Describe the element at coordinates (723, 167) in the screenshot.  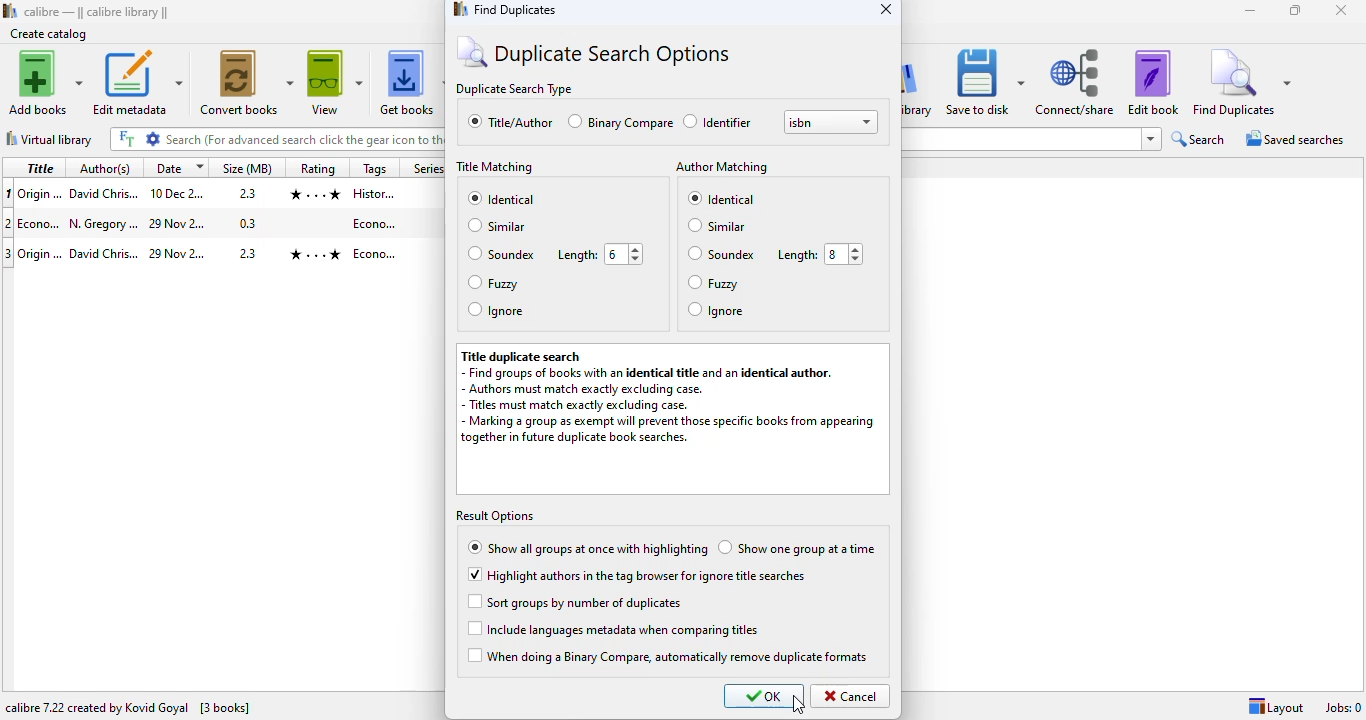
I see `author matching` at that location.